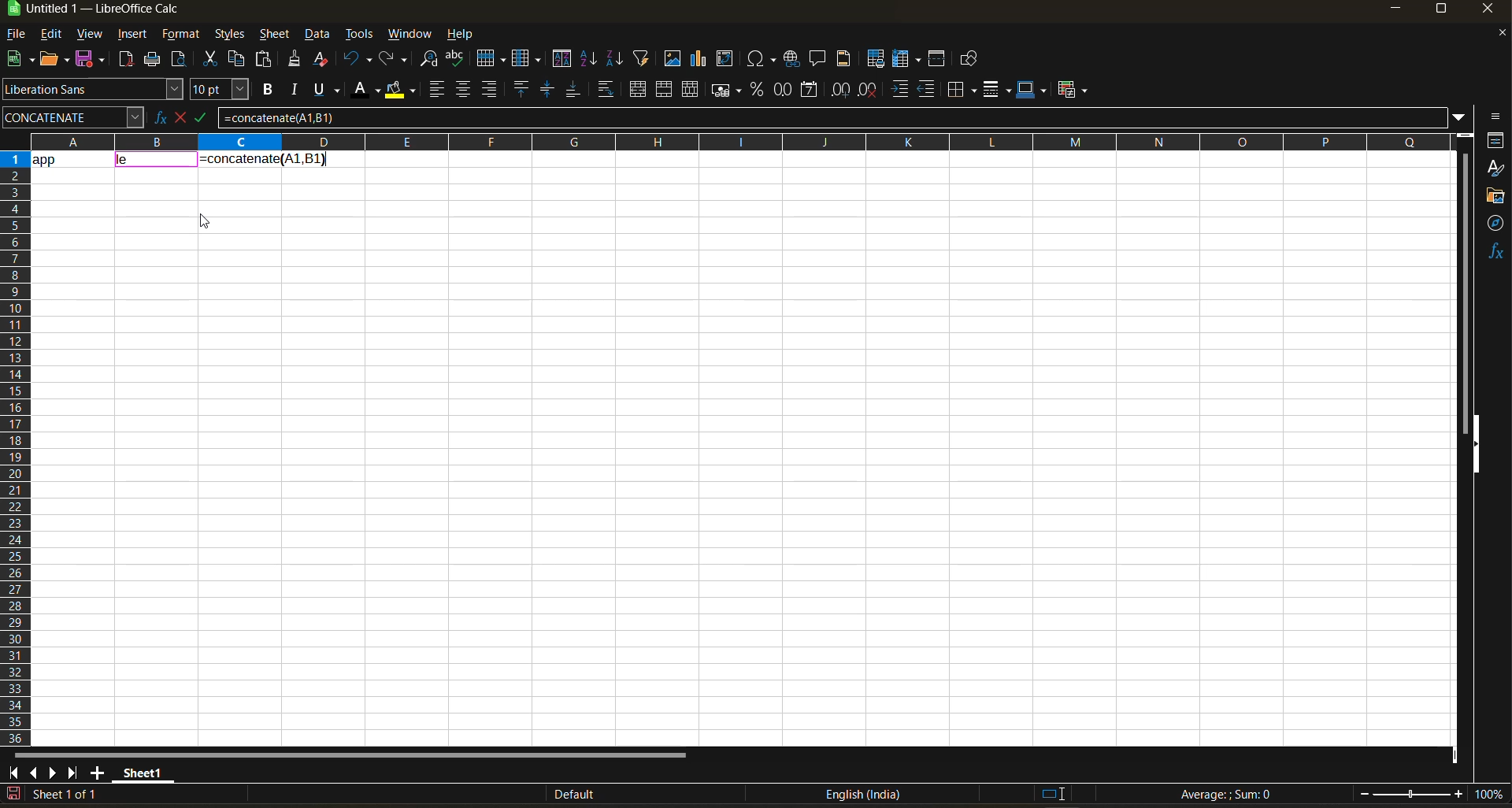 Image resolution: width=1512 pixels, height=808 pixels. I want to click on sheet number, so click(69, 794).